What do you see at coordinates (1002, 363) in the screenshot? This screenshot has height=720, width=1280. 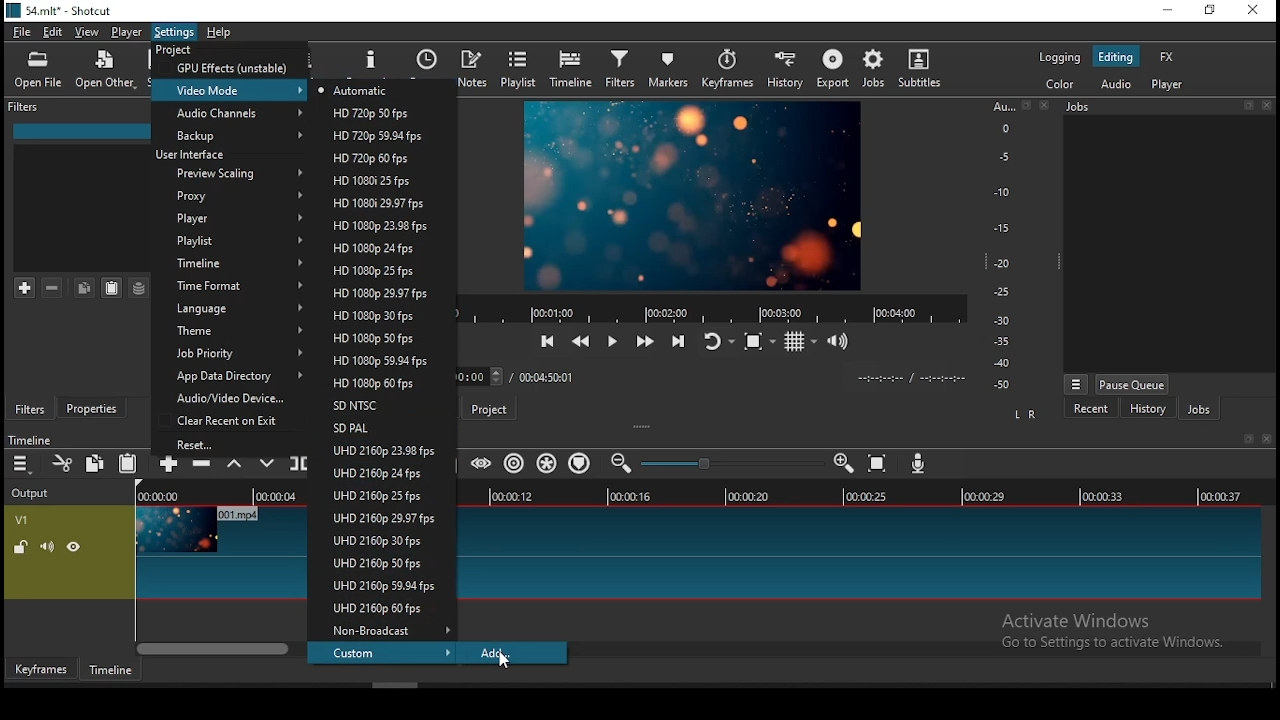 I see `-40` at bounding box center [1002, 363].